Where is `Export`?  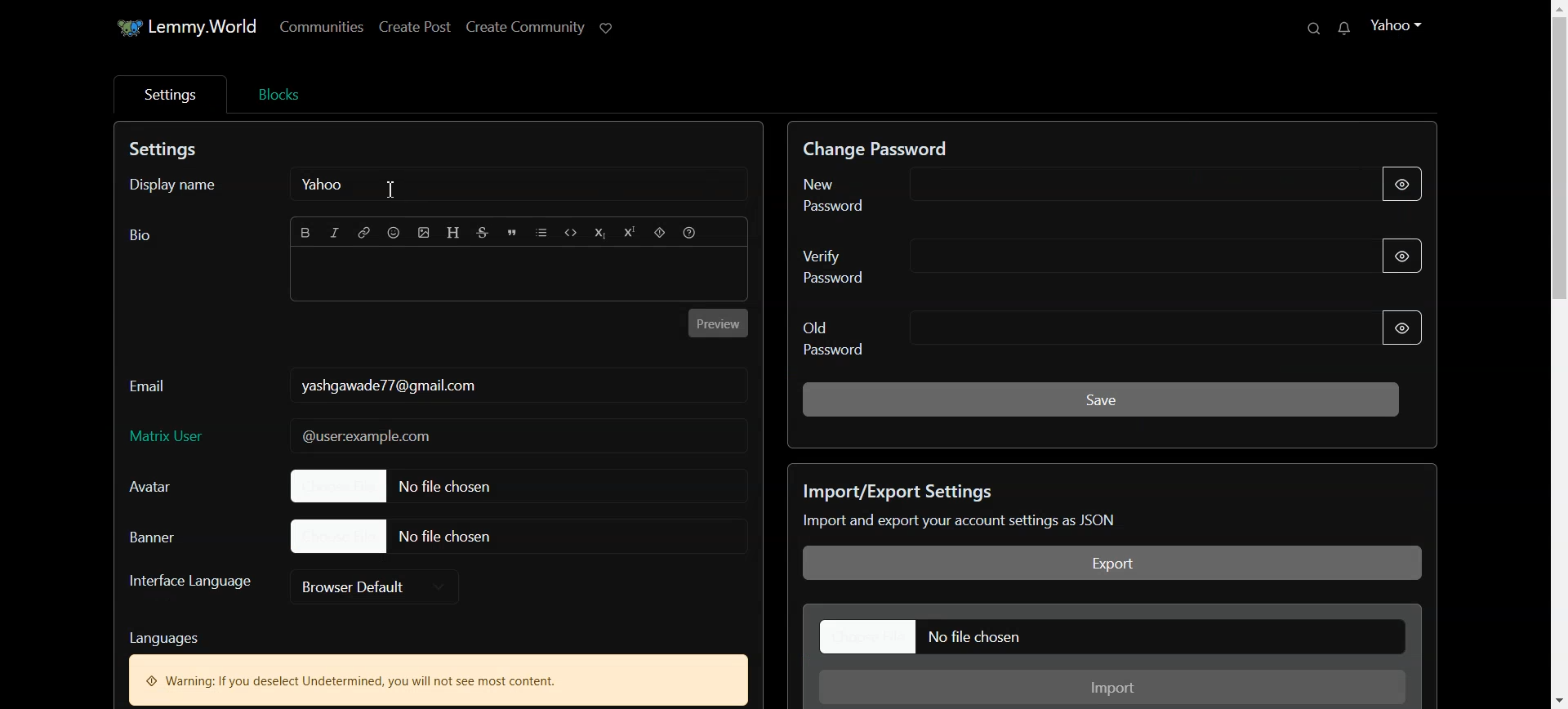 Export is located at coordinates (1113, 564).